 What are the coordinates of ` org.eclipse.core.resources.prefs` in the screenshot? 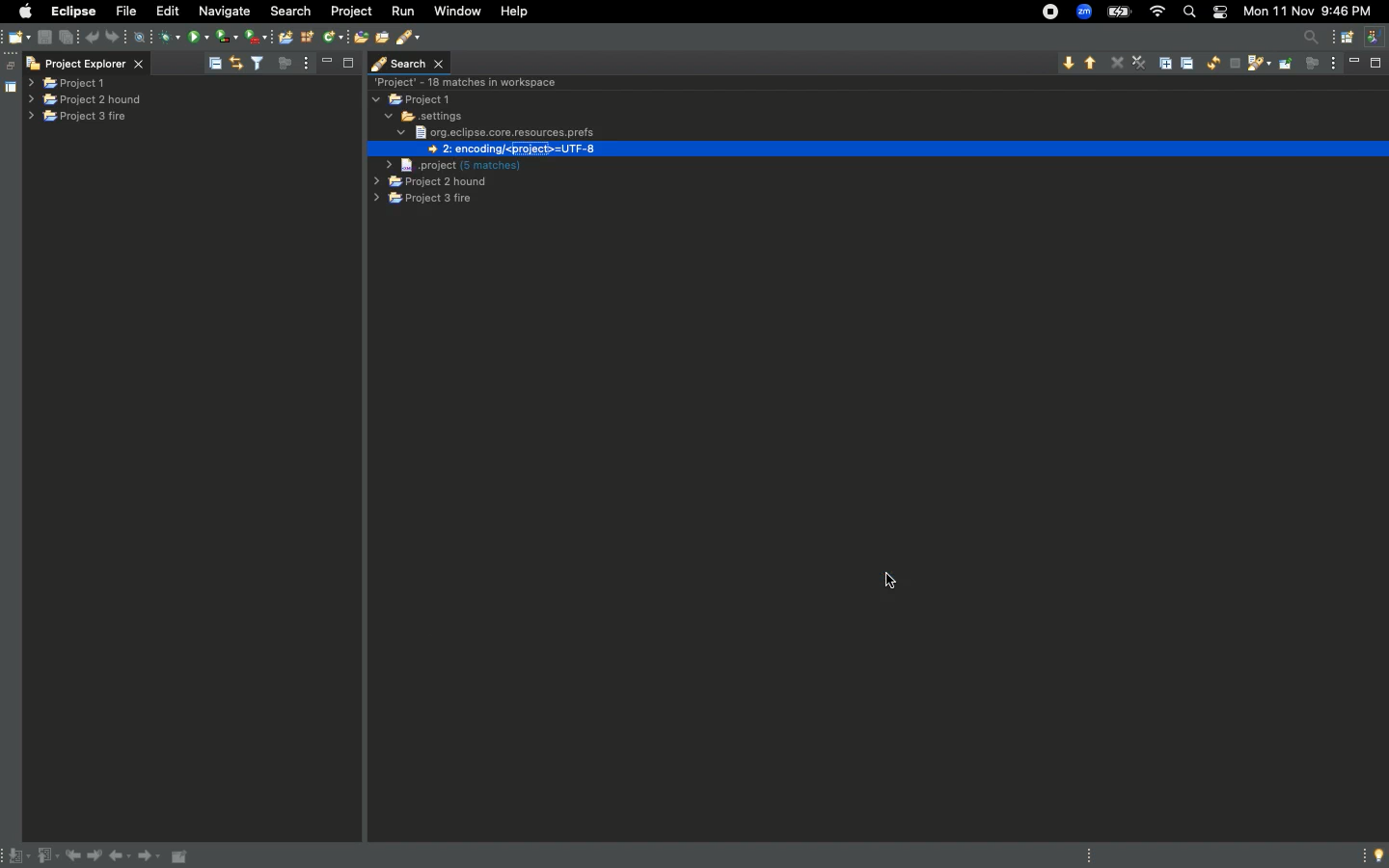 It's located at (498, 131).